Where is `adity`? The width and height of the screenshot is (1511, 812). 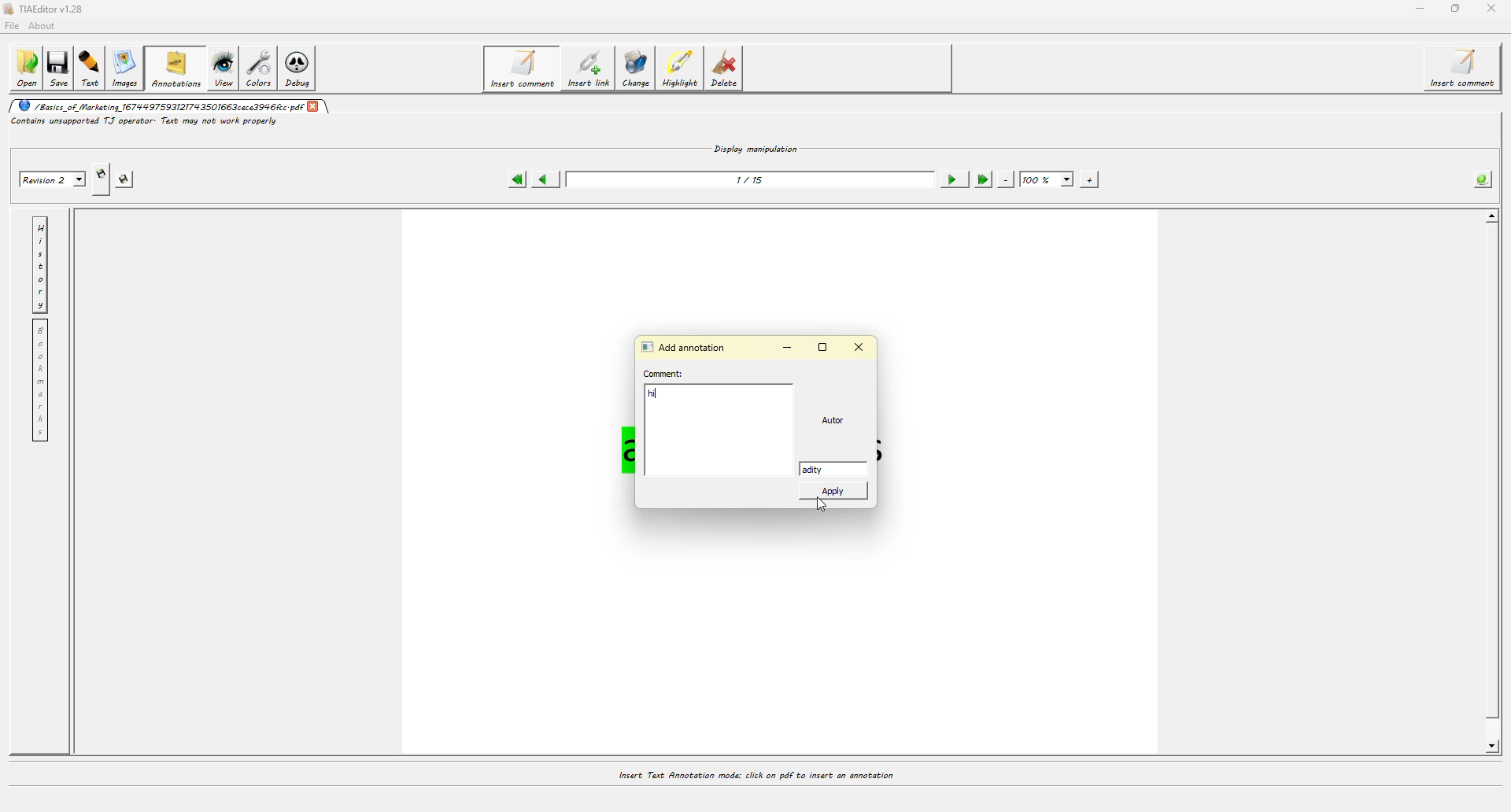
adity is located at coordinates (824, 469).